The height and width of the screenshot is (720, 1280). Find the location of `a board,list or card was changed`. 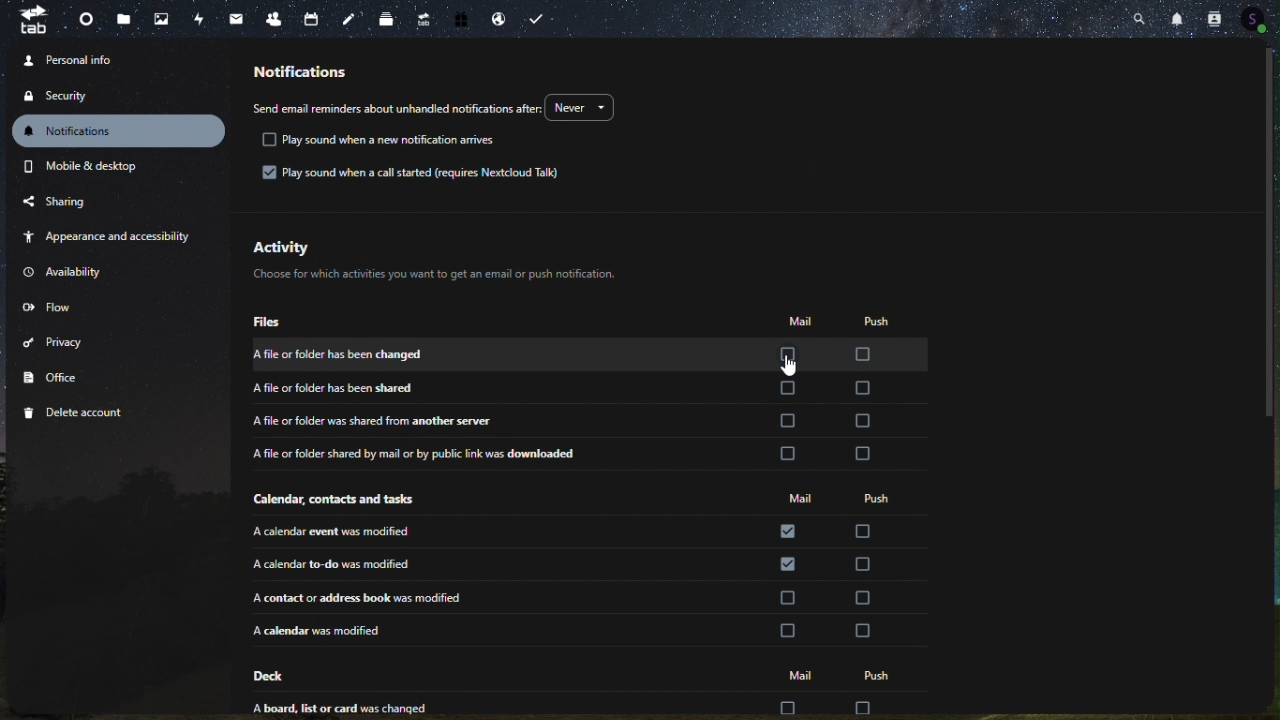

a board,list or card was changed is located at coordinates (348, 707).